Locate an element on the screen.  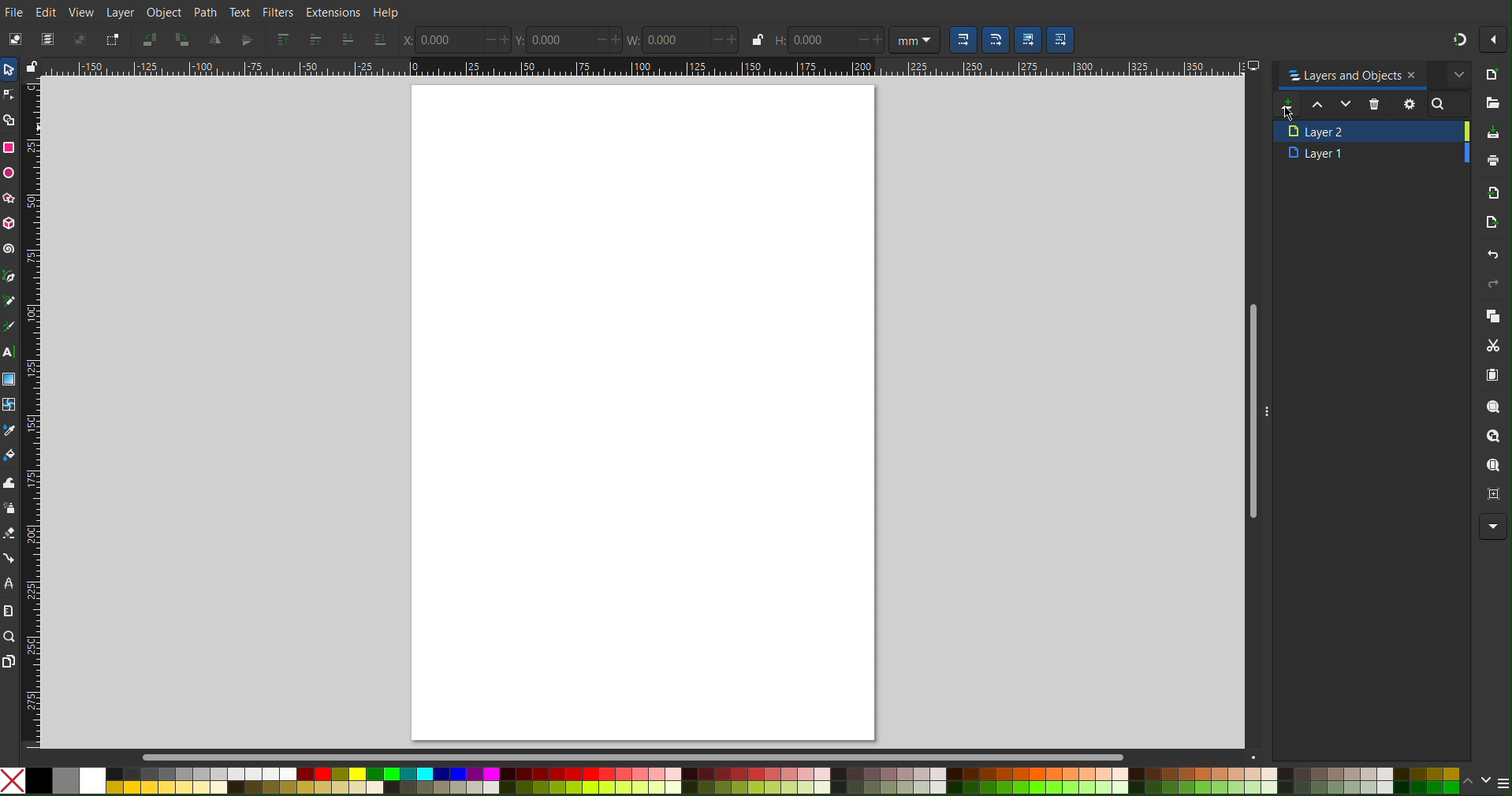
Gradient Tool is located at coordinates (13, 377).